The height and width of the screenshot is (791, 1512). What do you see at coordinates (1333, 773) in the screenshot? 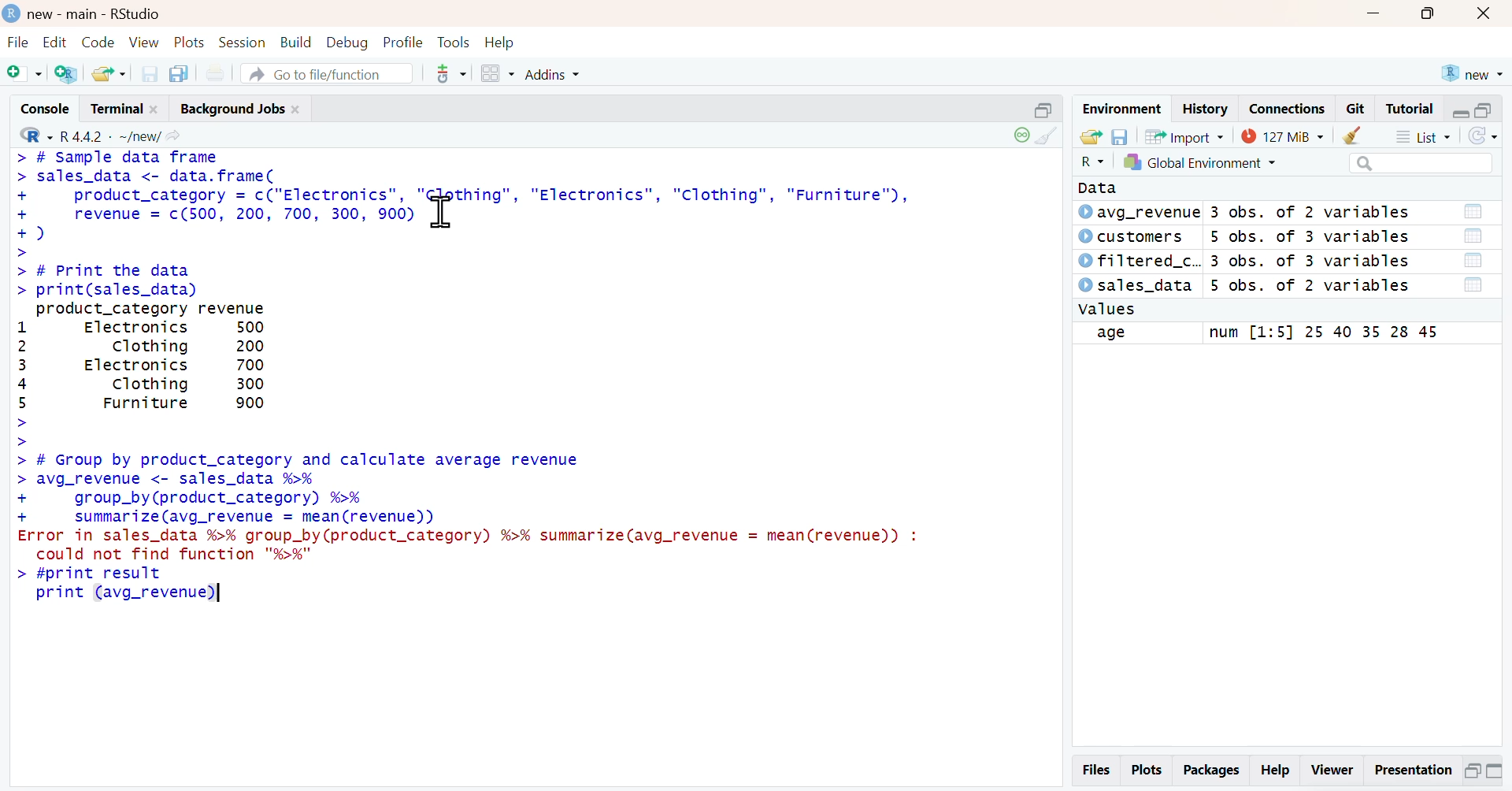
I see `Viewer` at bounding box center [1333, 773].